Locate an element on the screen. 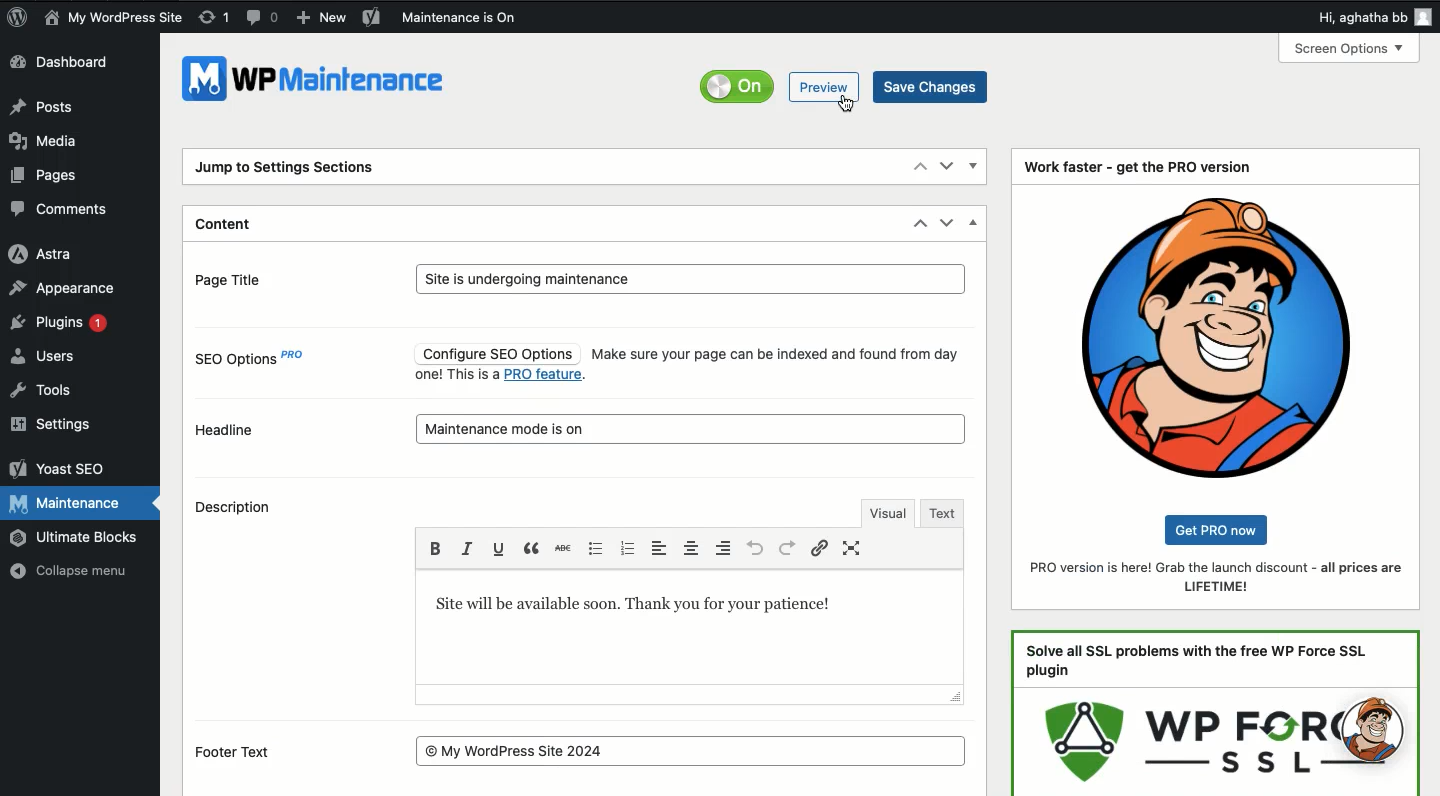  Ad is located at coordinates (1216, 713).